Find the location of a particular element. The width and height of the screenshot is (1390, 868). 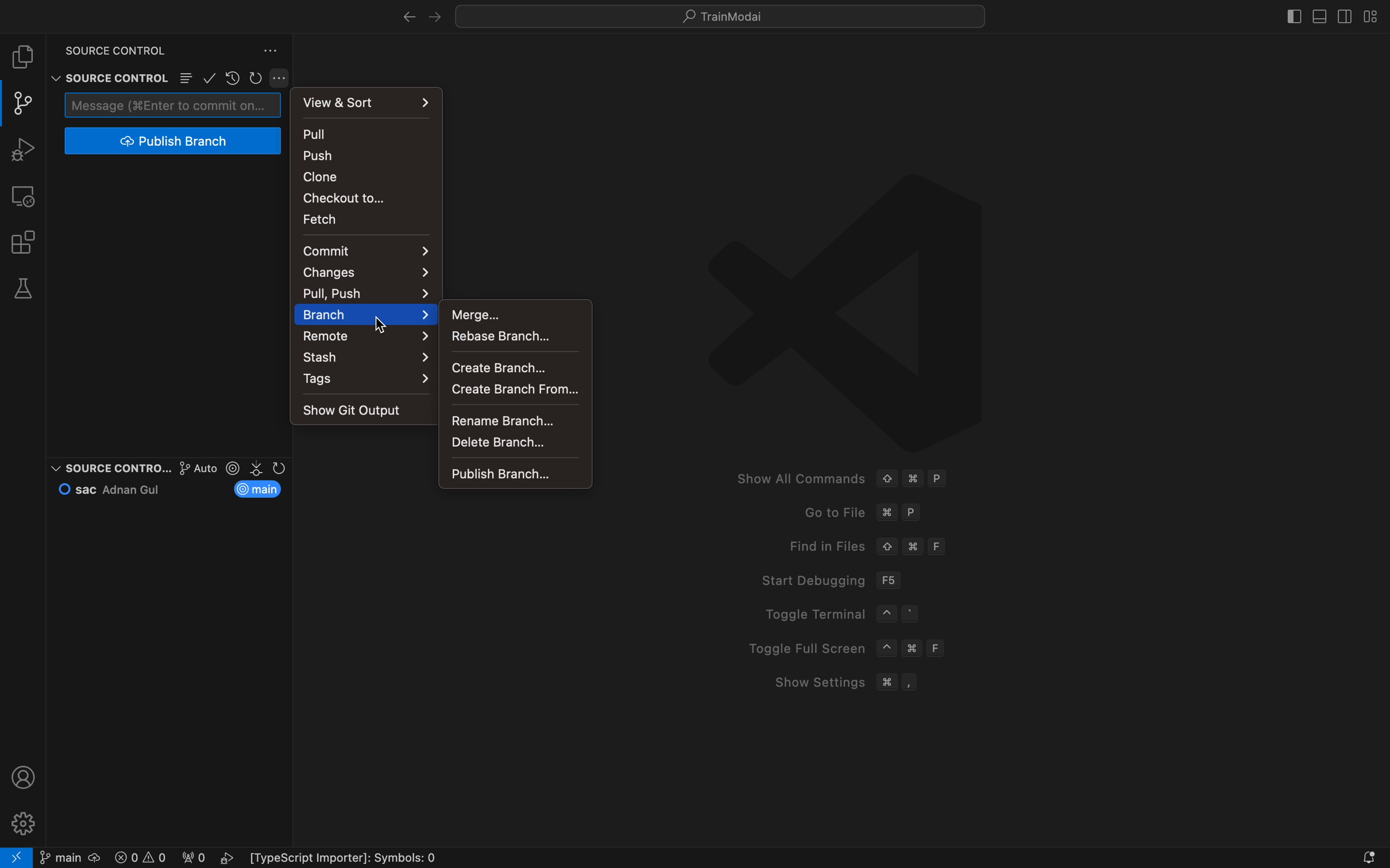

ok is located at coordinates (210, 77).